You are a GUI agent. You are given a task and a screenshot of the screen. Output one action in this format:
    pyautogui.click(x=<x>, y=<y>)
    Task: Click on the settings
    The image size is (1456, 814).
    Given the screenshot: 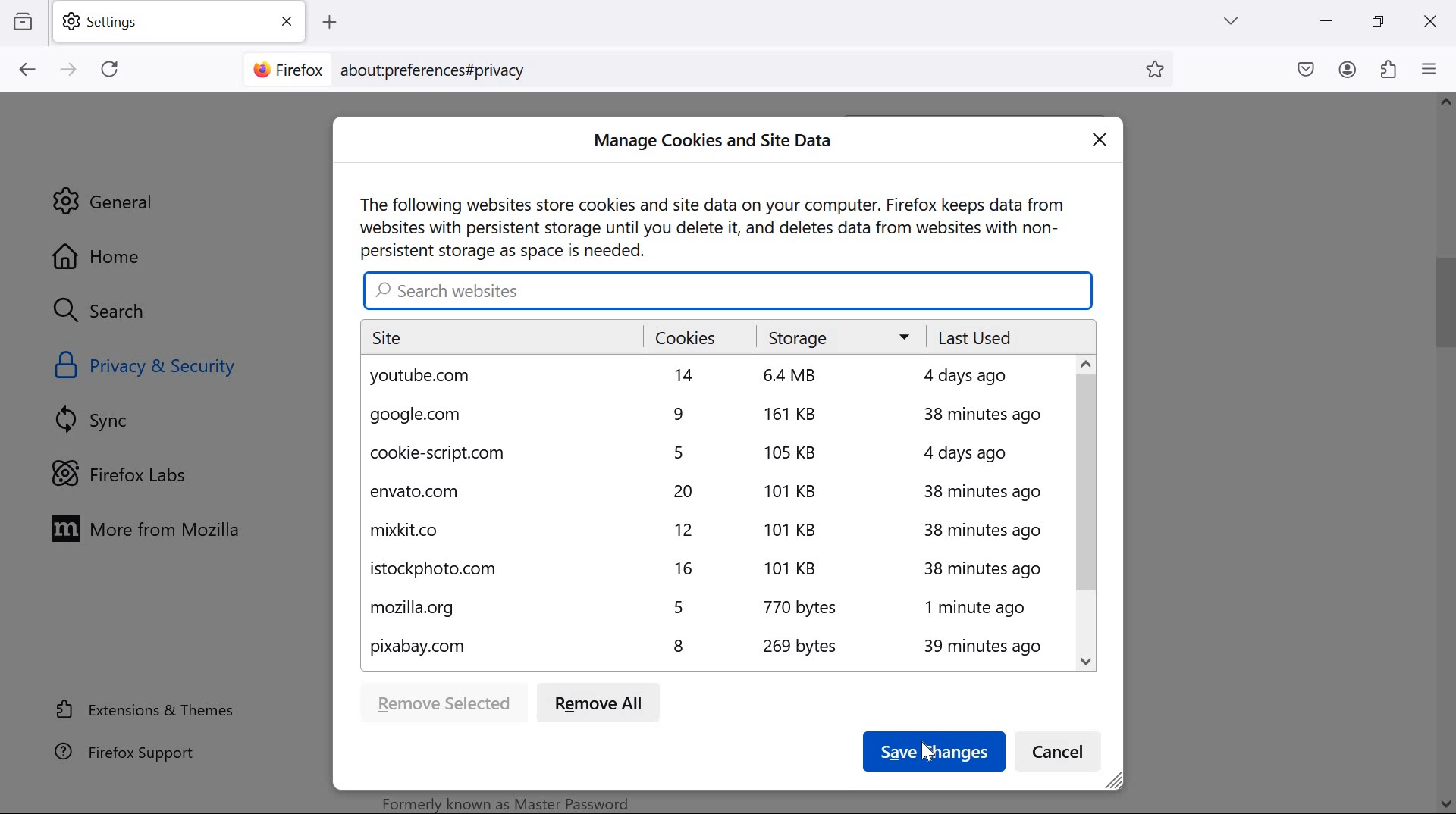 What is the action you would take?
    pyautogui.click(x=183, y=22)
    